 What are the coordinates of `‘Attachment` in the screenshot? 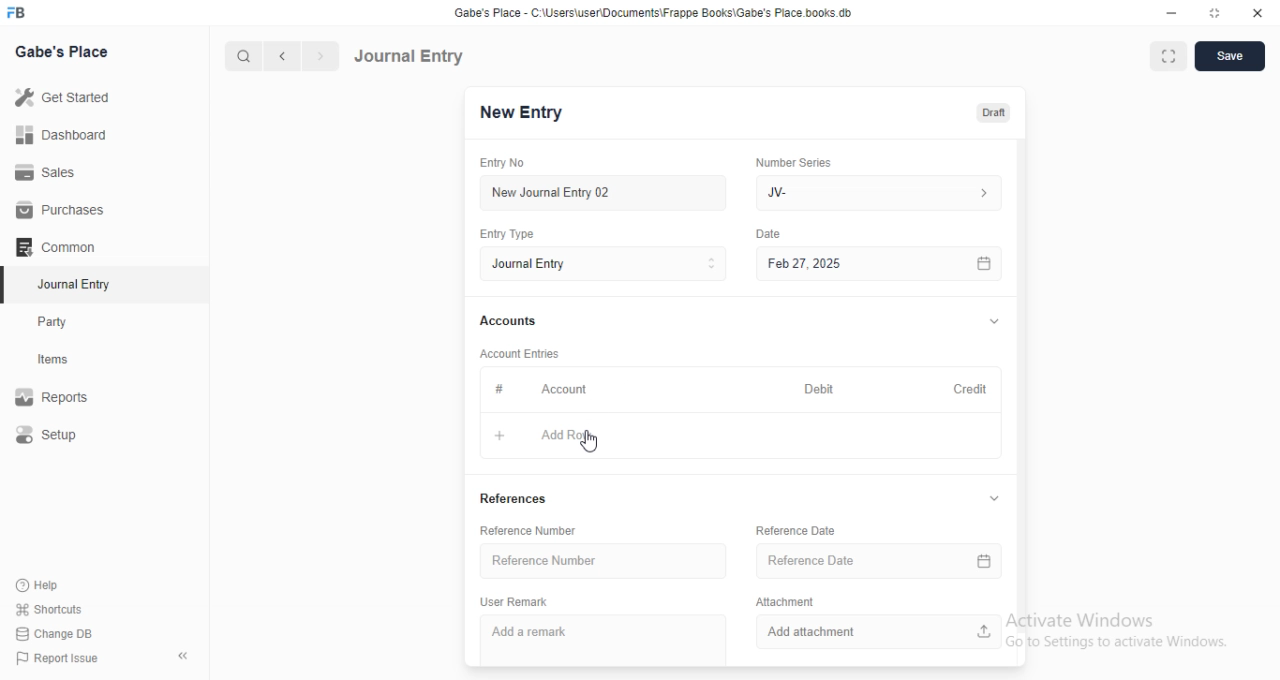 It's located at (787, 601).